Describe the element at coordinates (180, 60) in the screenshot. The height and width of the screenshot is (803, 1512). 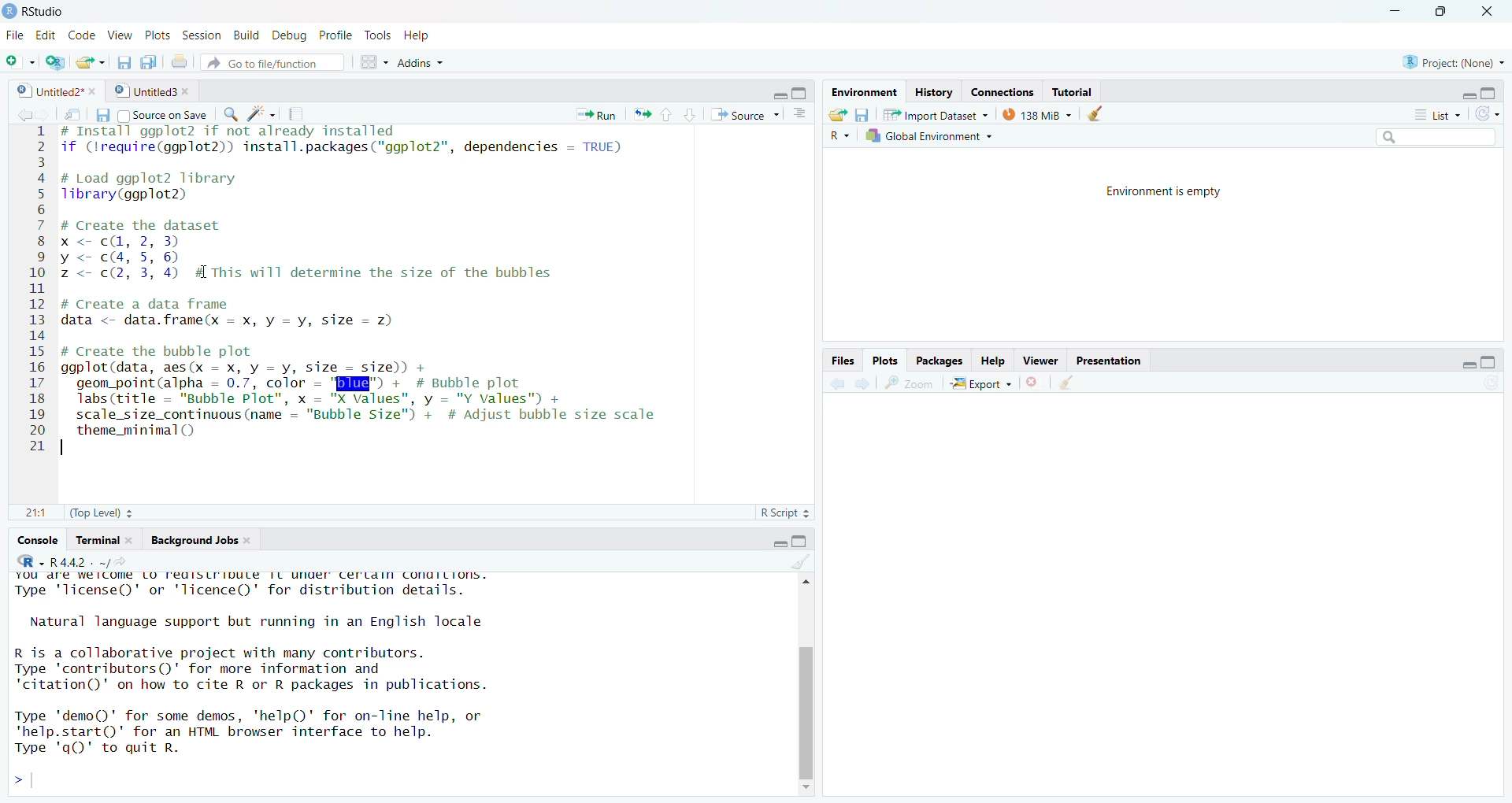
I see `print document` at that location.